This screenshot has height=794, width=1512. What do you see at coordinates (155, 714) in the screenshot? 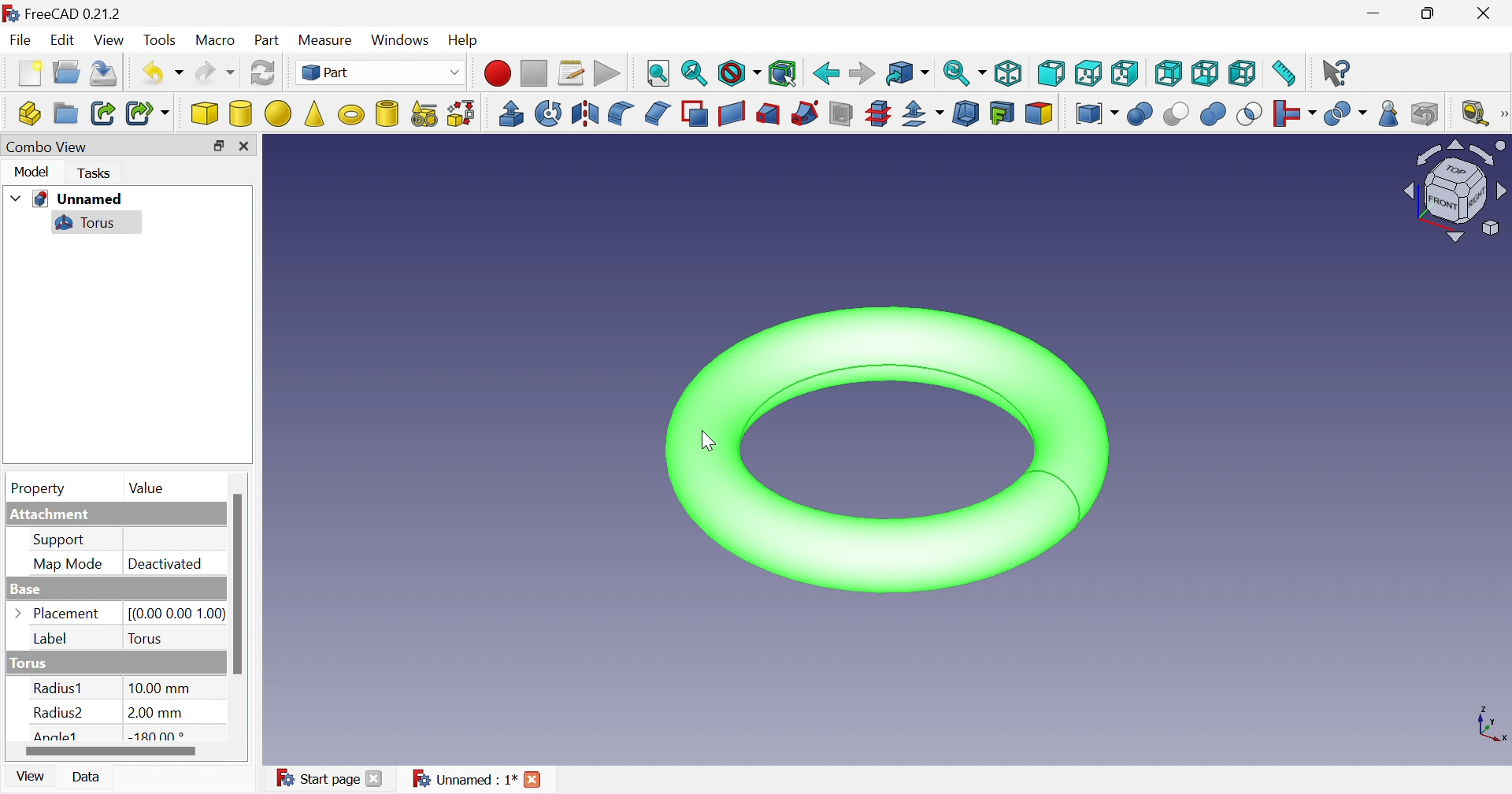
I see `2.00 mm` at bounding box center [155, 714].